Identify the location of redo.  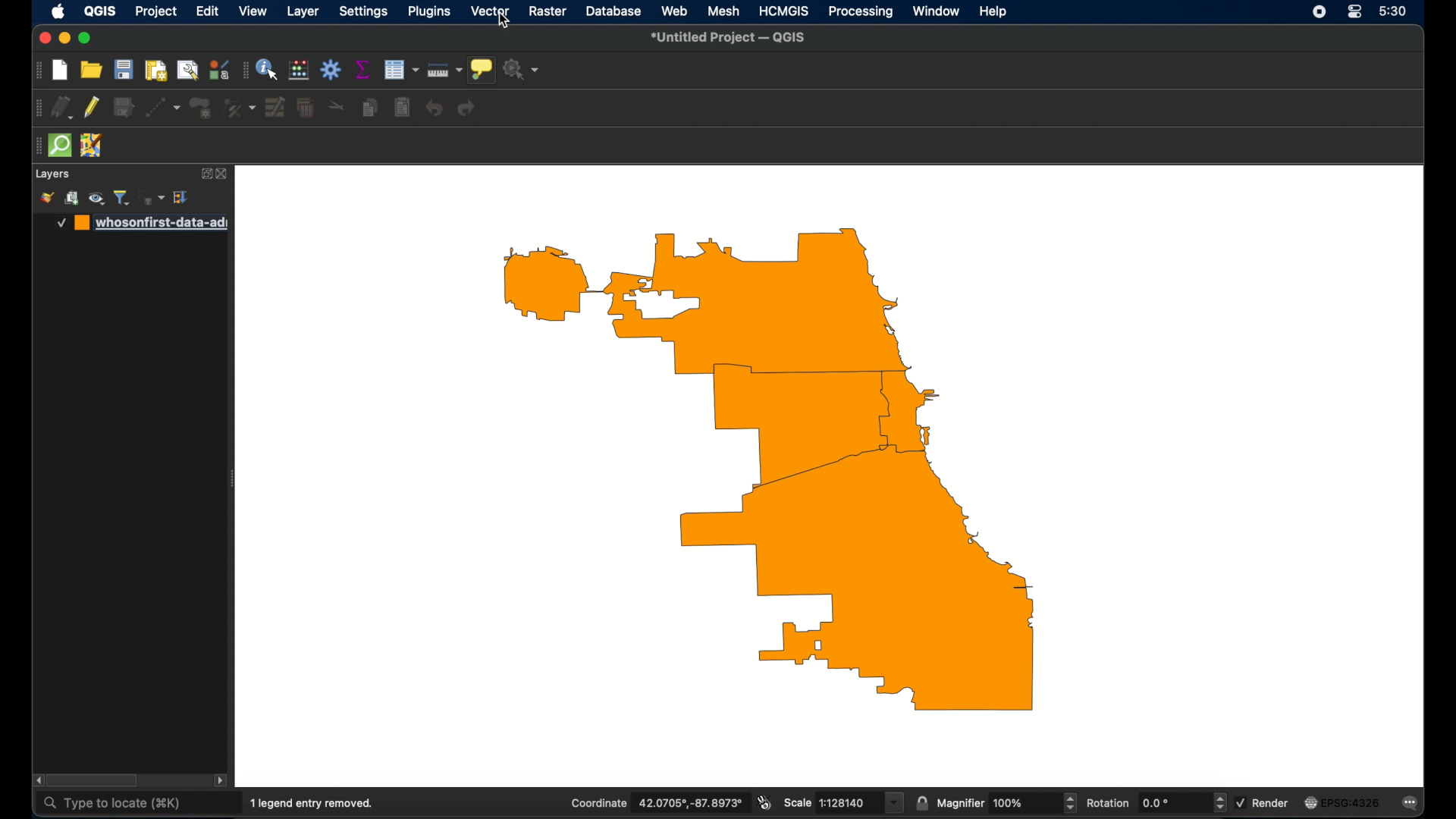
(466, 109).